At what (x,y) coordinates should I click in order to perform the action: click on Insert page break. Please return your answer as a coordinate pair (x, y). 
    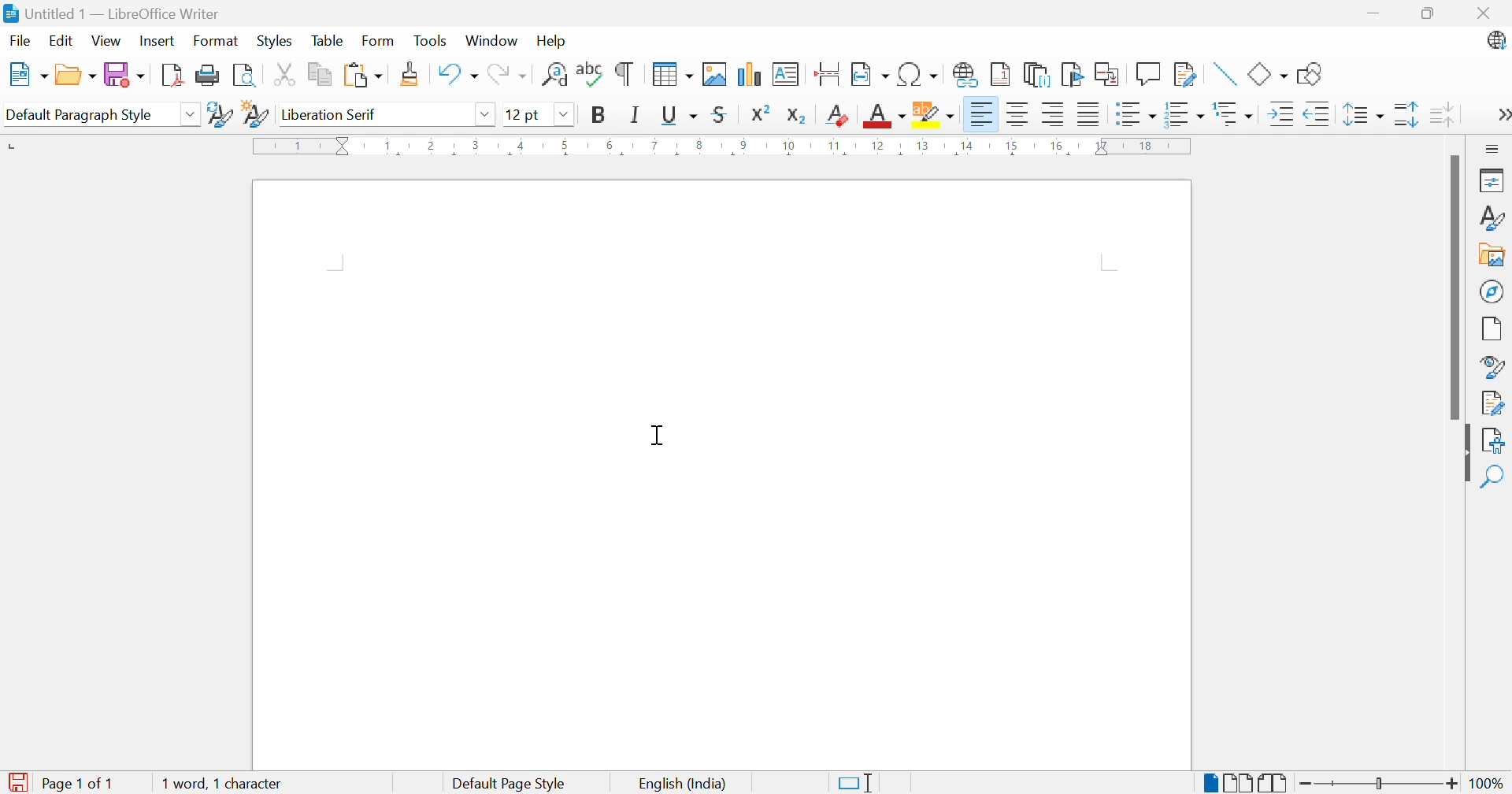
    Looking at the image, I should click on (829, 74).